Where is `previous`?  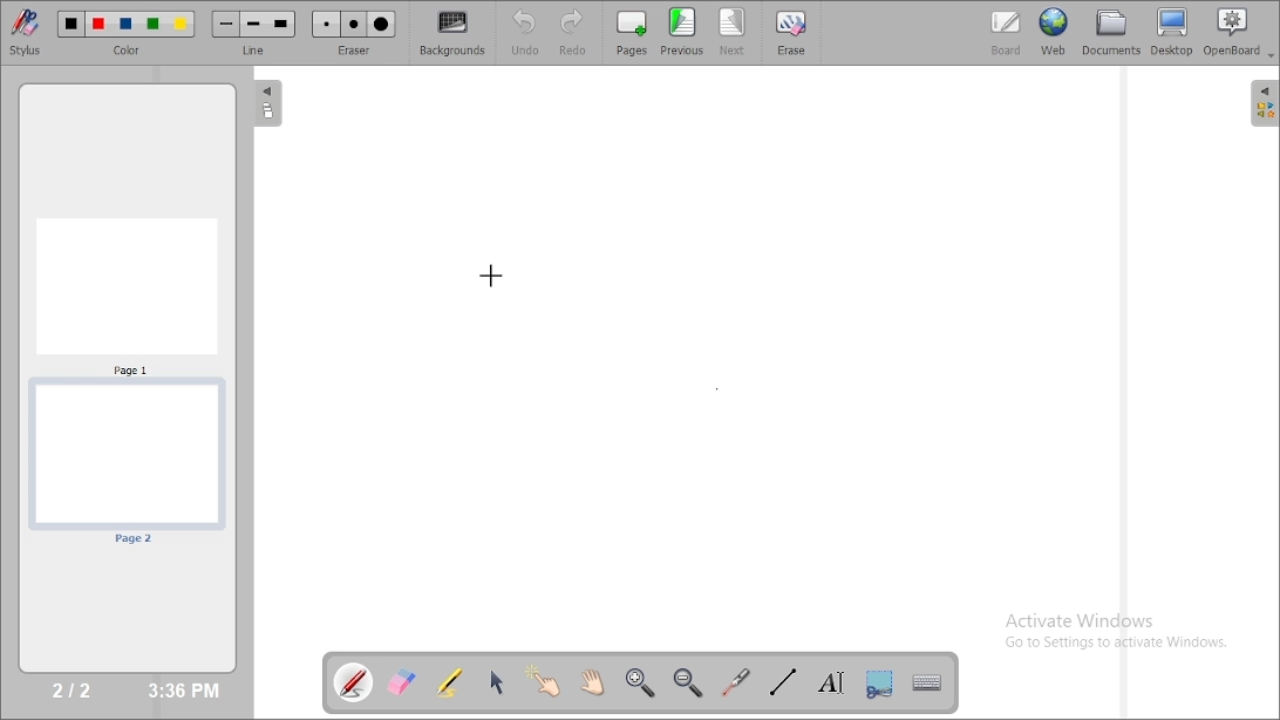
previous is located at coordinates (682, 31).